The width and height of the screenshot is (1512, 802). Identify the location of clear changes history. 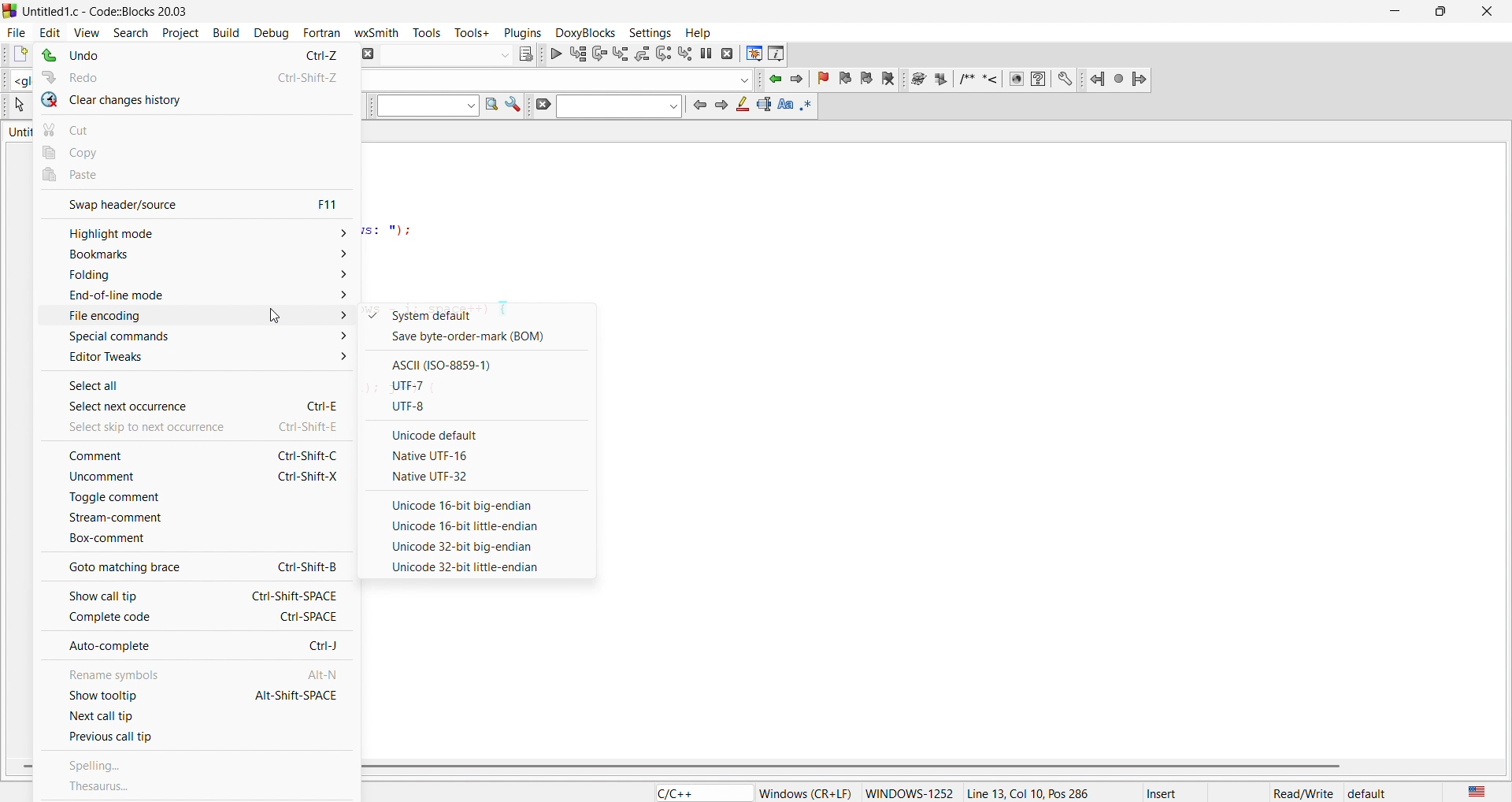
(197, 102).